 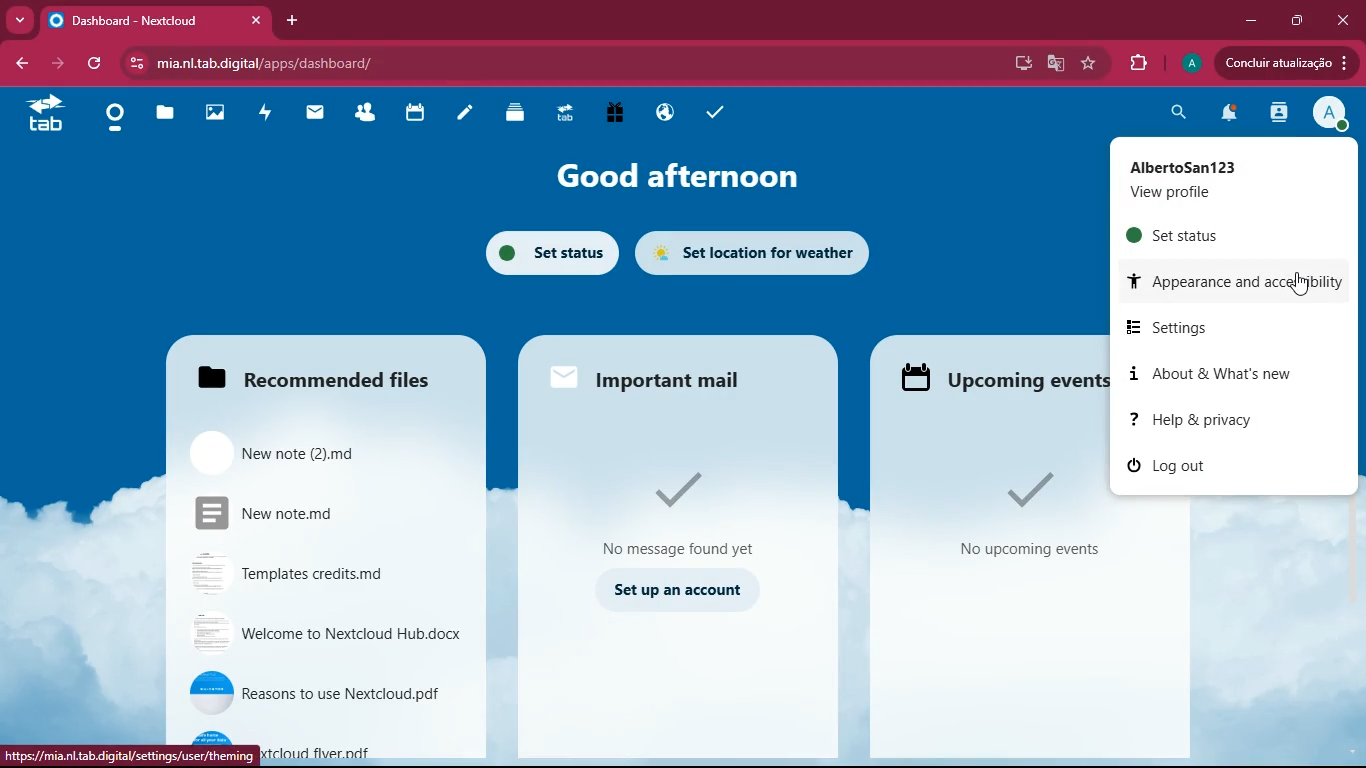 I want to click on search, so click(x=1175, y=112).